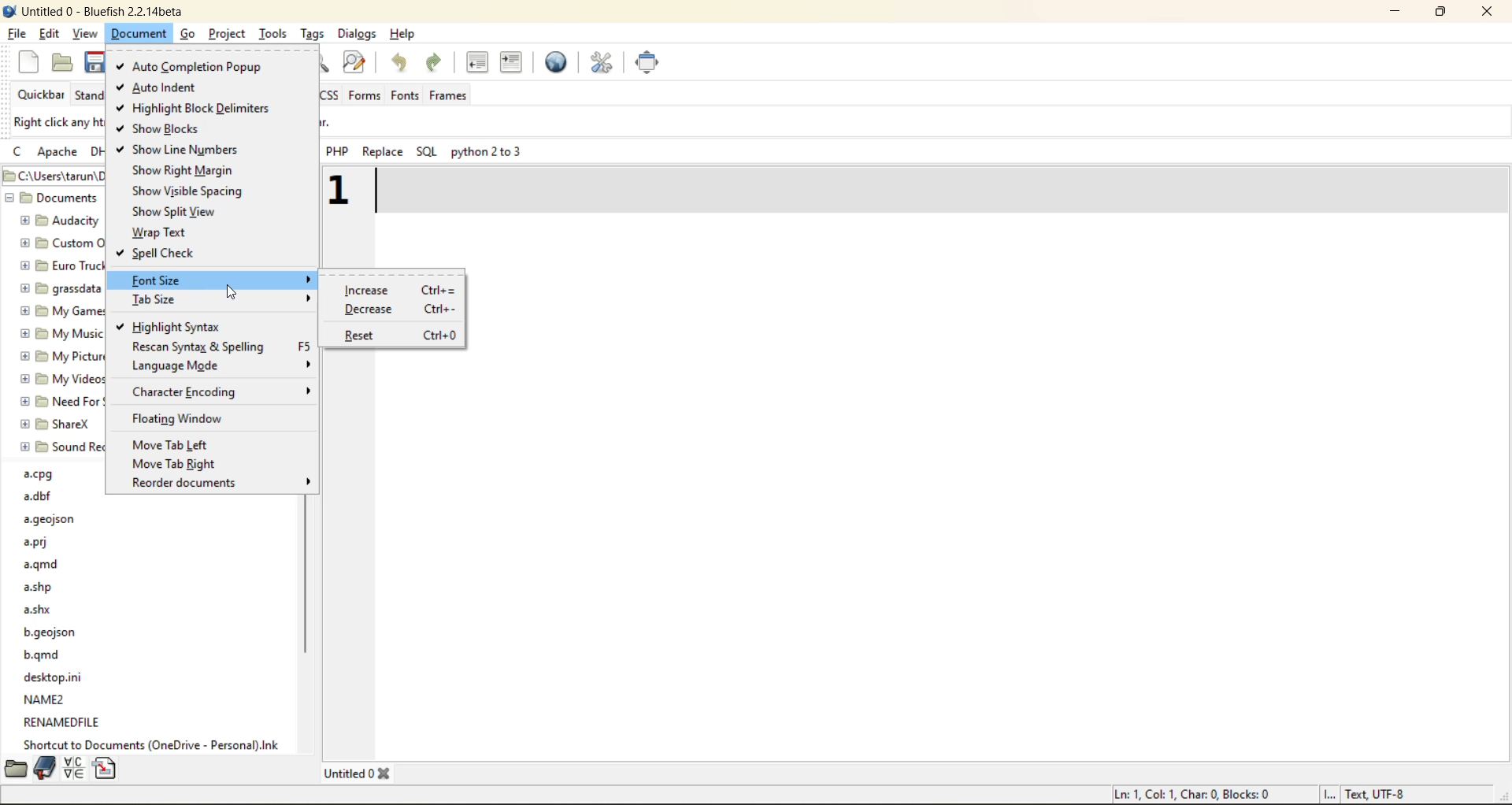 This screenshot has width=1512, height=805. Describe the element at coordinates (76, 768) in the screenshot. I see `charmap` at that location.